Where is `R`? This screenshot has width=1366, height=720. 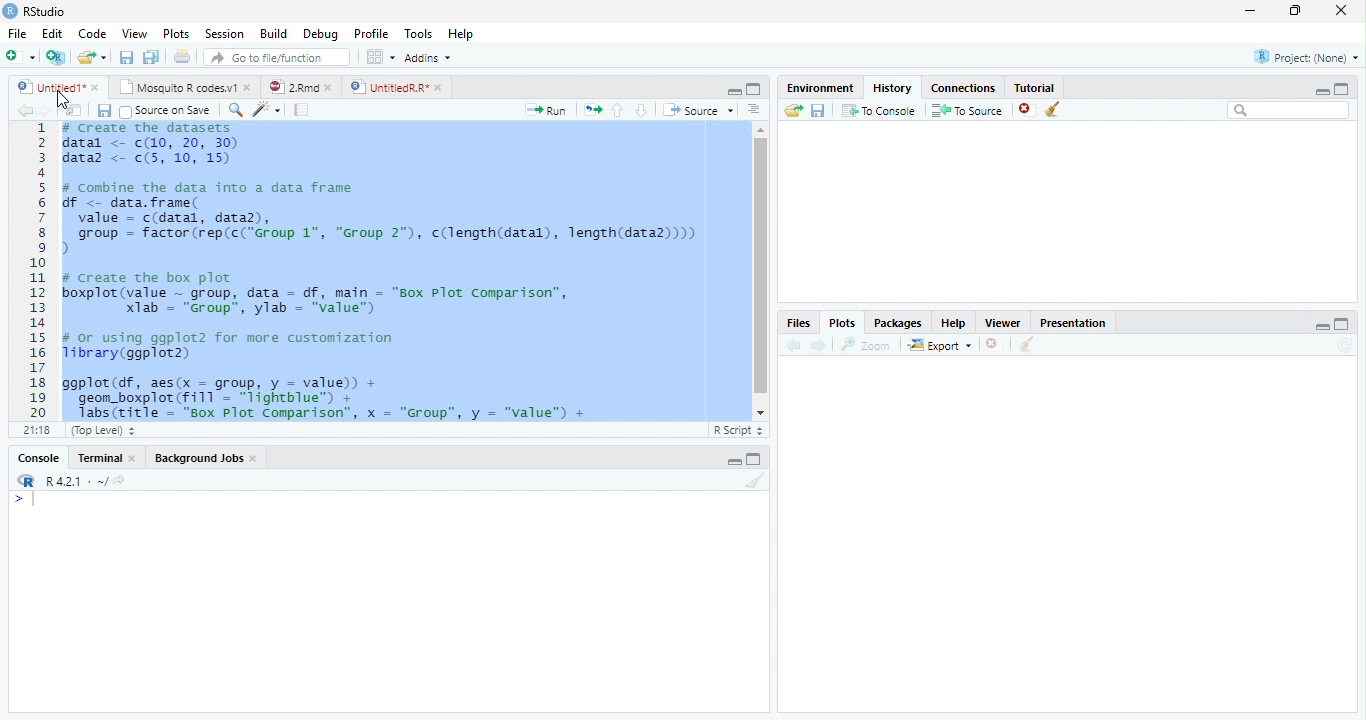
R is located at coordinates (26, 481).